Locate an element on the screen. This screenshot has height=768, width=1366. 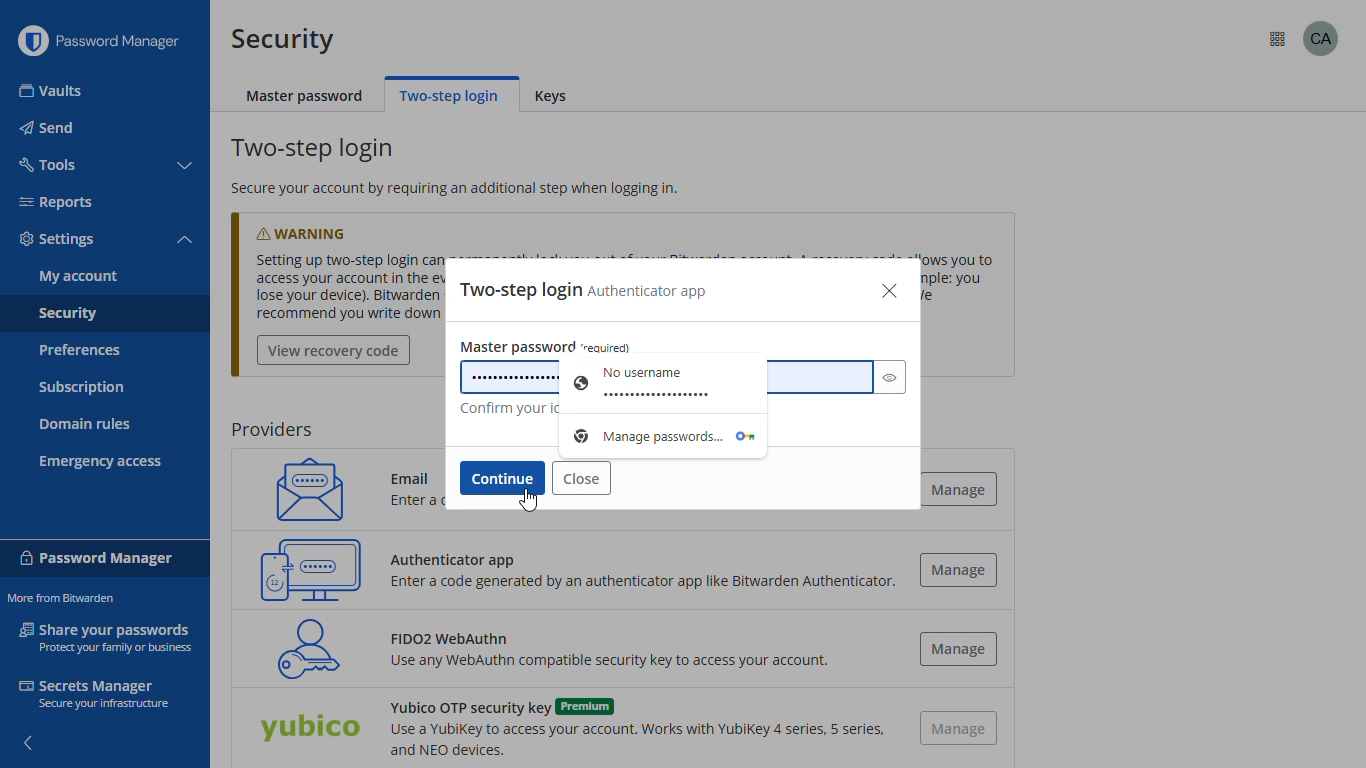
preferences is located at coordinates (78, 350).